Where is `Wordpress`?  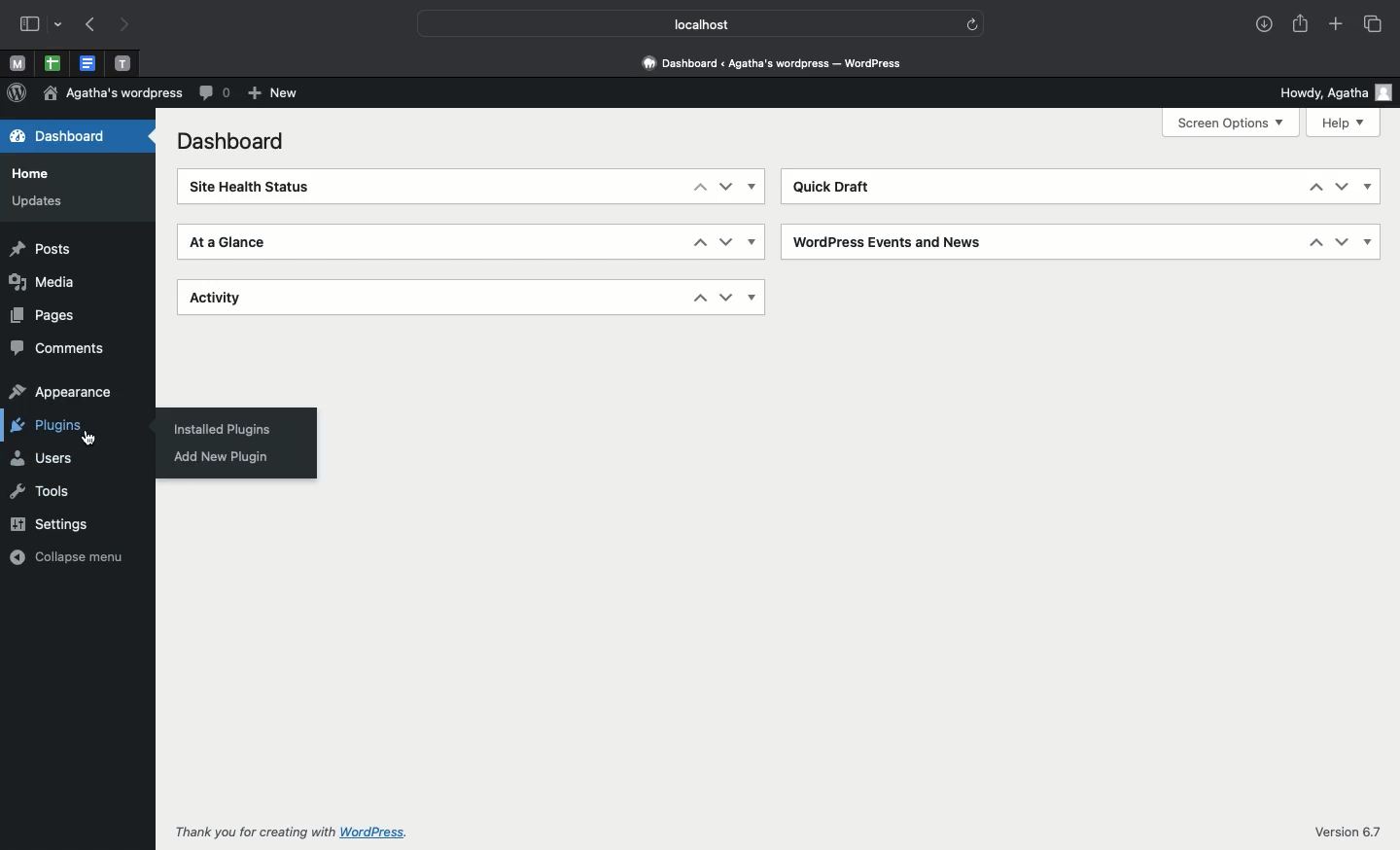
Wordpress is located at coordinates (17, 94).